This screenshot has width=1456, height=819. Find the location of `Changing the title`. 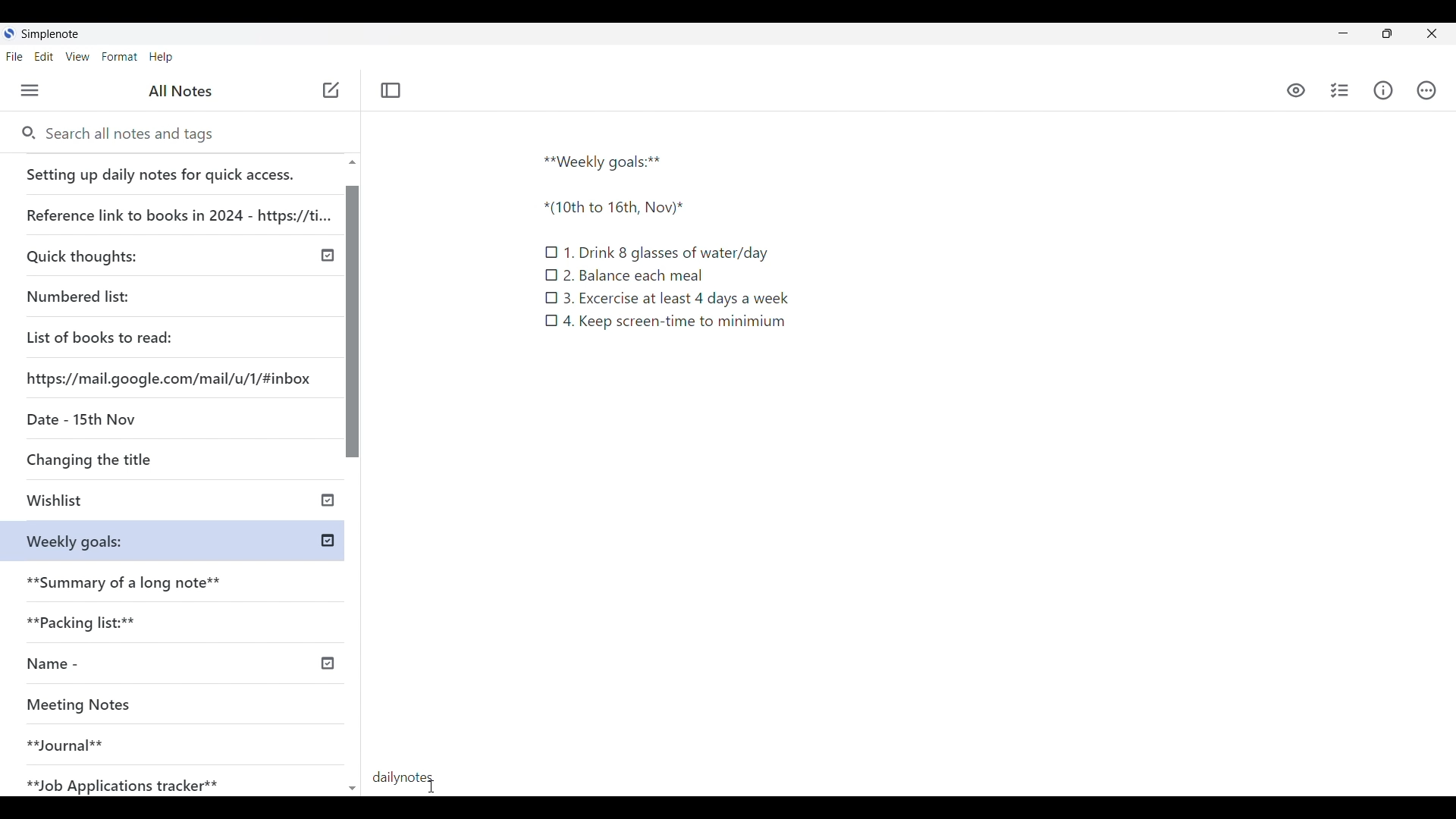

Changing the title is located at coordinates (121, 459).